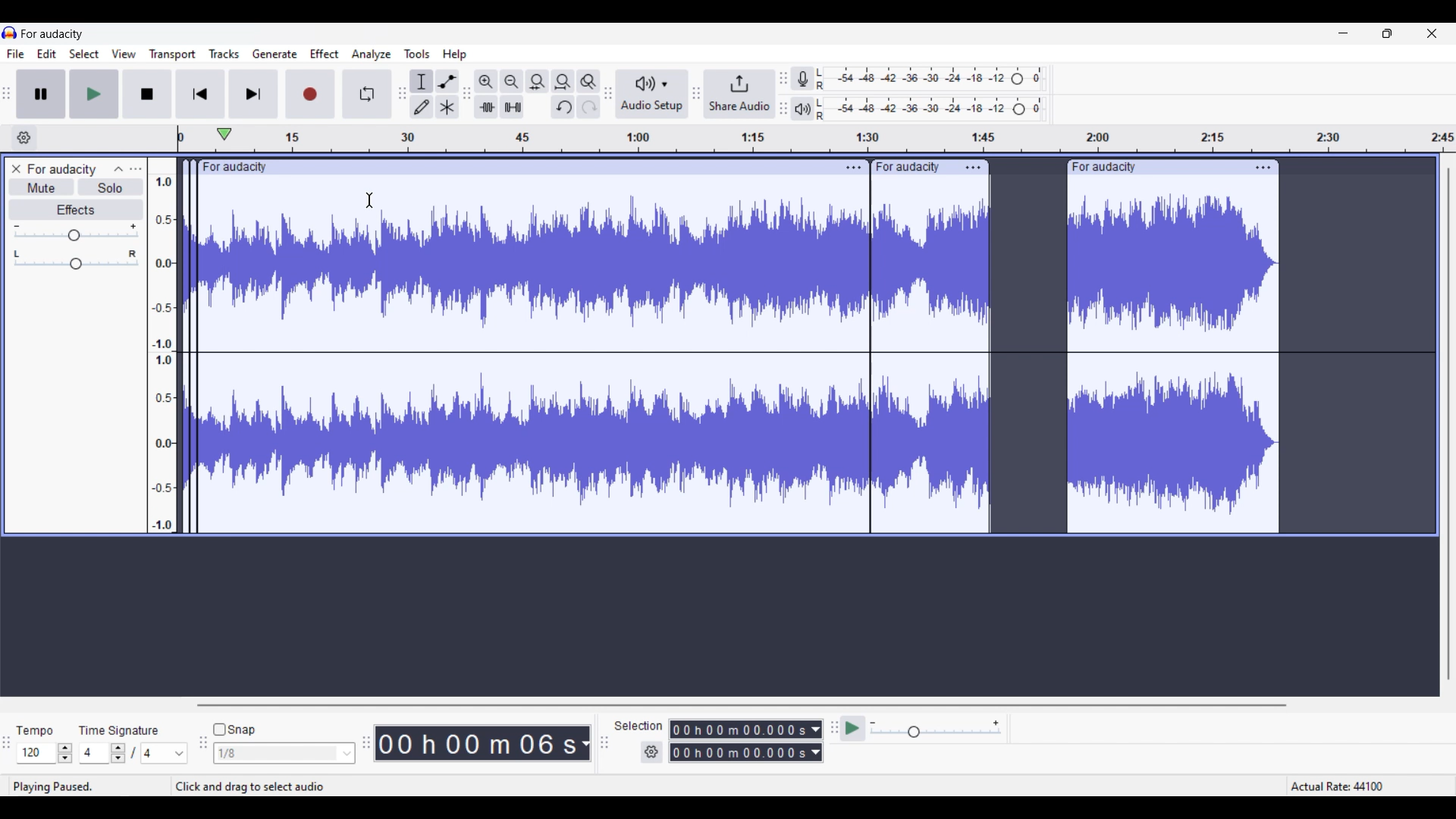  Describe the element at coordinates (118, 169) in the screenshot. I see `Collapse` at that location.